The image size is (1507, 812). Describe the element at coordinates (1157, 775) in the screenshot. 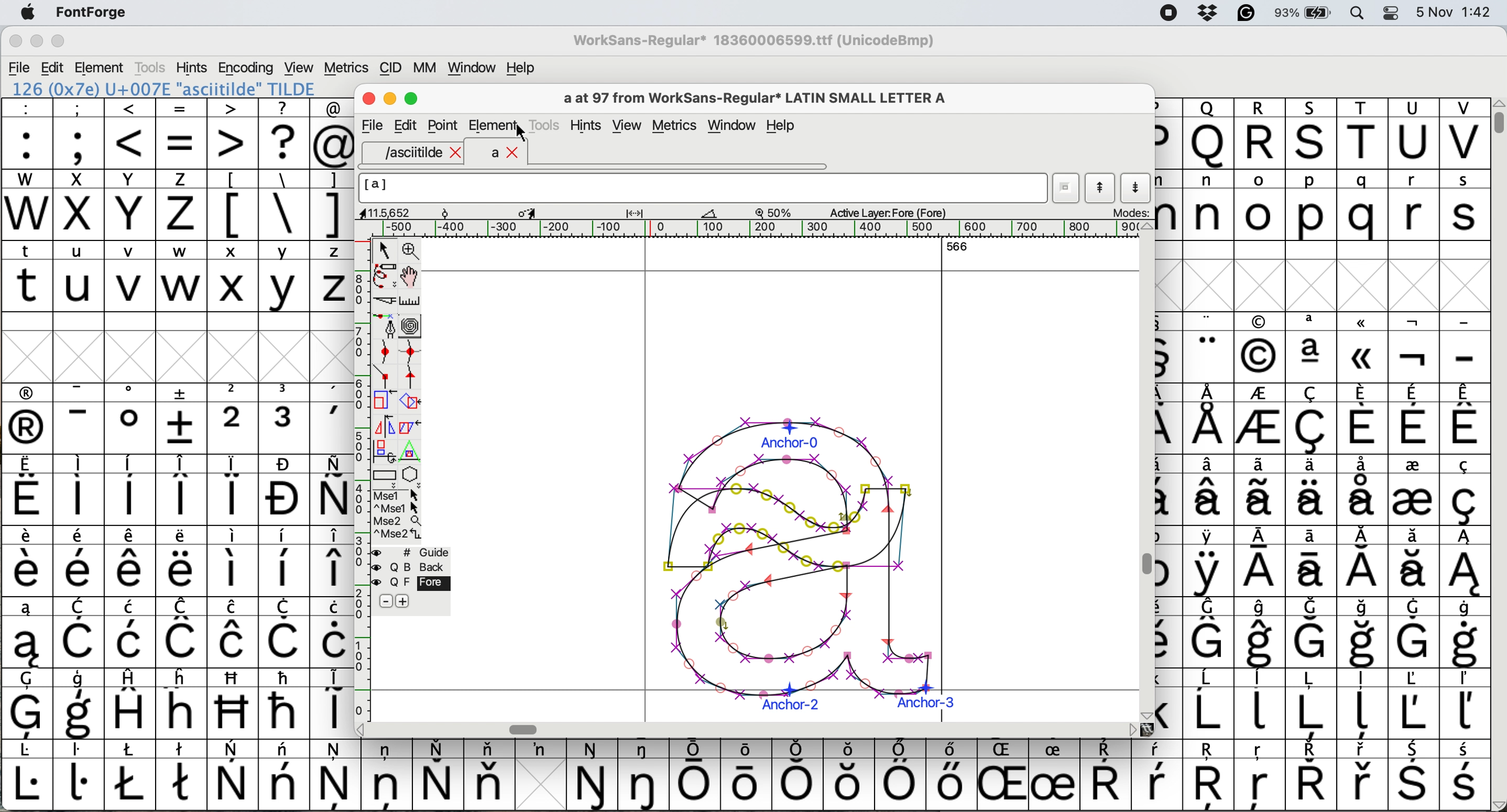

I see `symbol` at that location.